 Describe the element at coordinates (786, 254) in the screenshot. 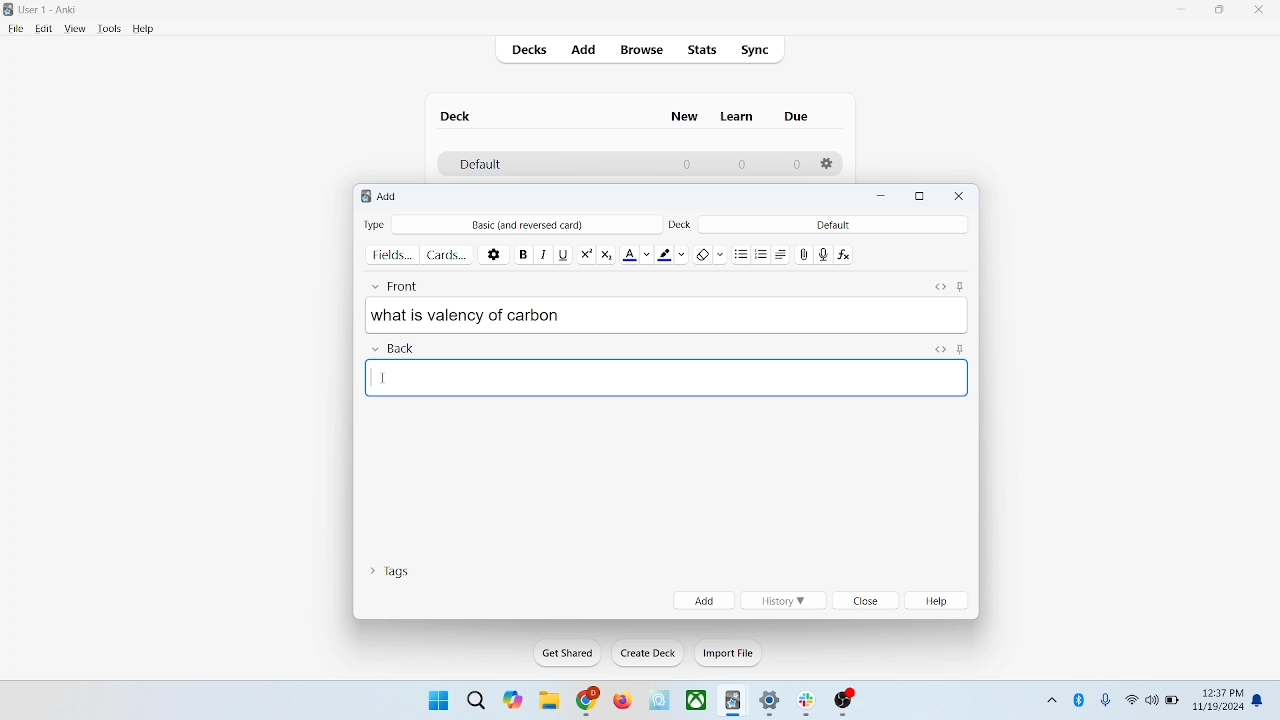

I see `alignment` at that location.